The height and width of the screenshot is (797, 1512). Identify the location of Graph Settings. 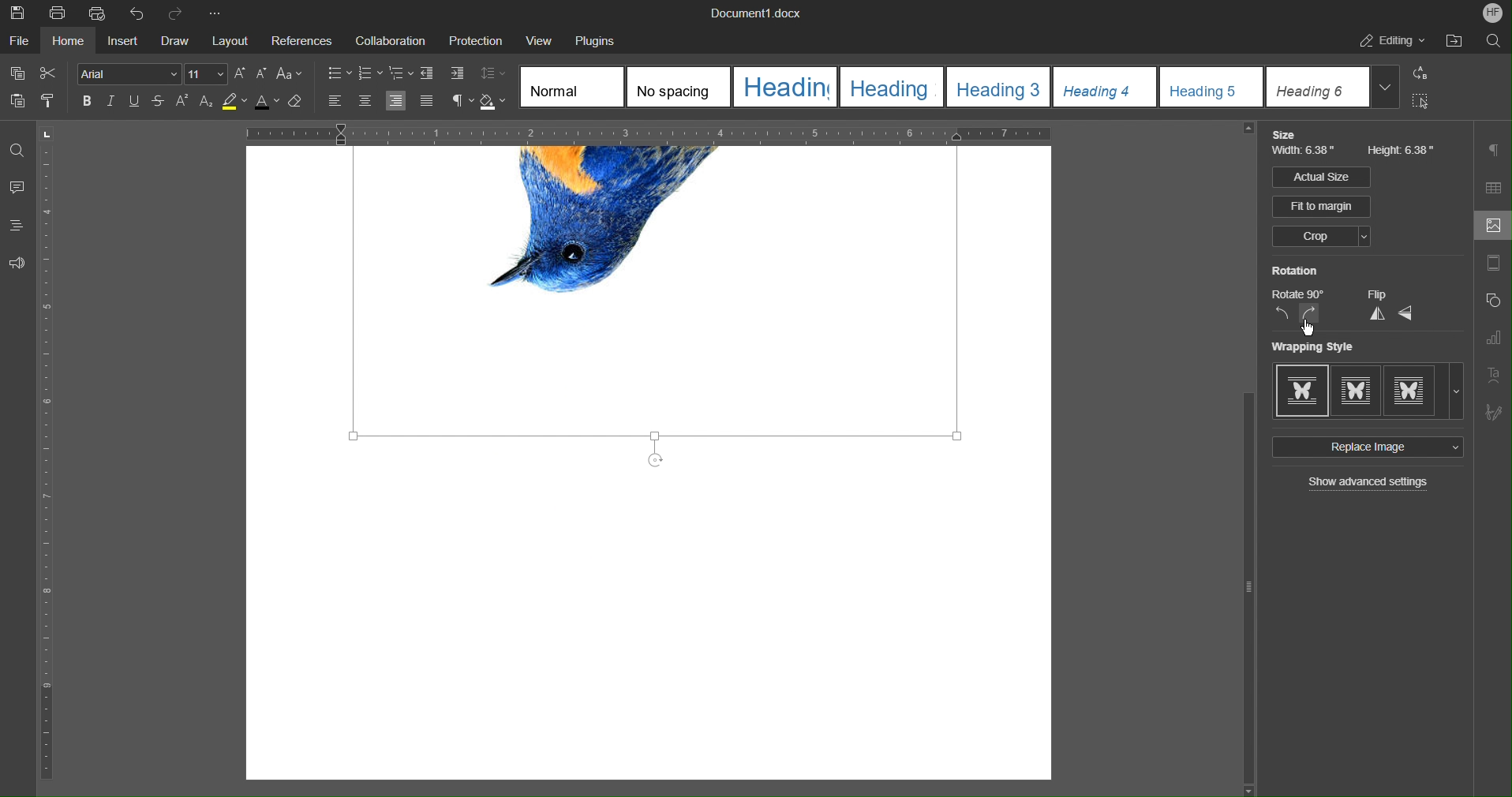
(1494, 335).